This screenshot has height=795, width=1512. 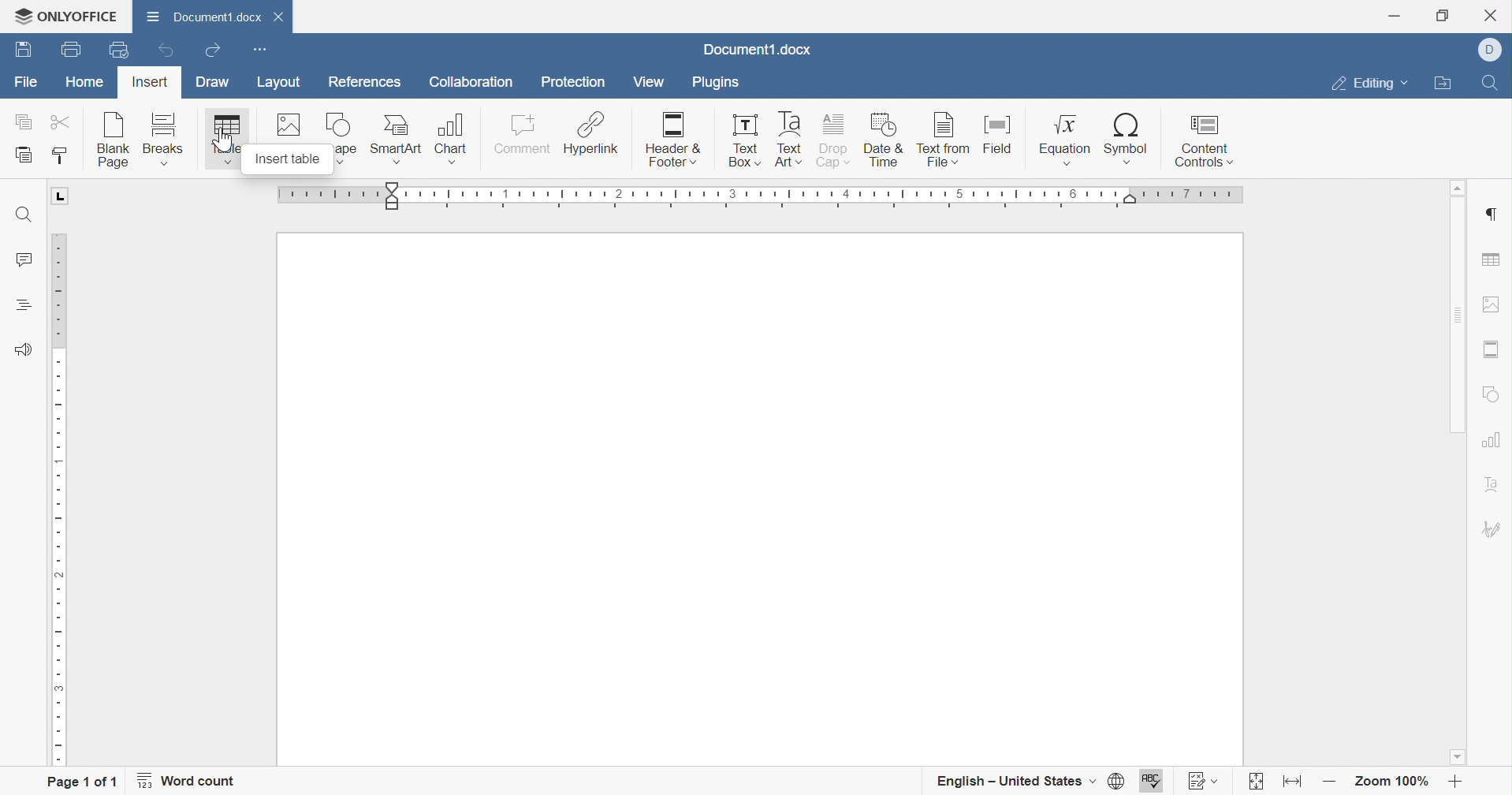 I want to click on Hyperlink, so click(x=592, y=135).